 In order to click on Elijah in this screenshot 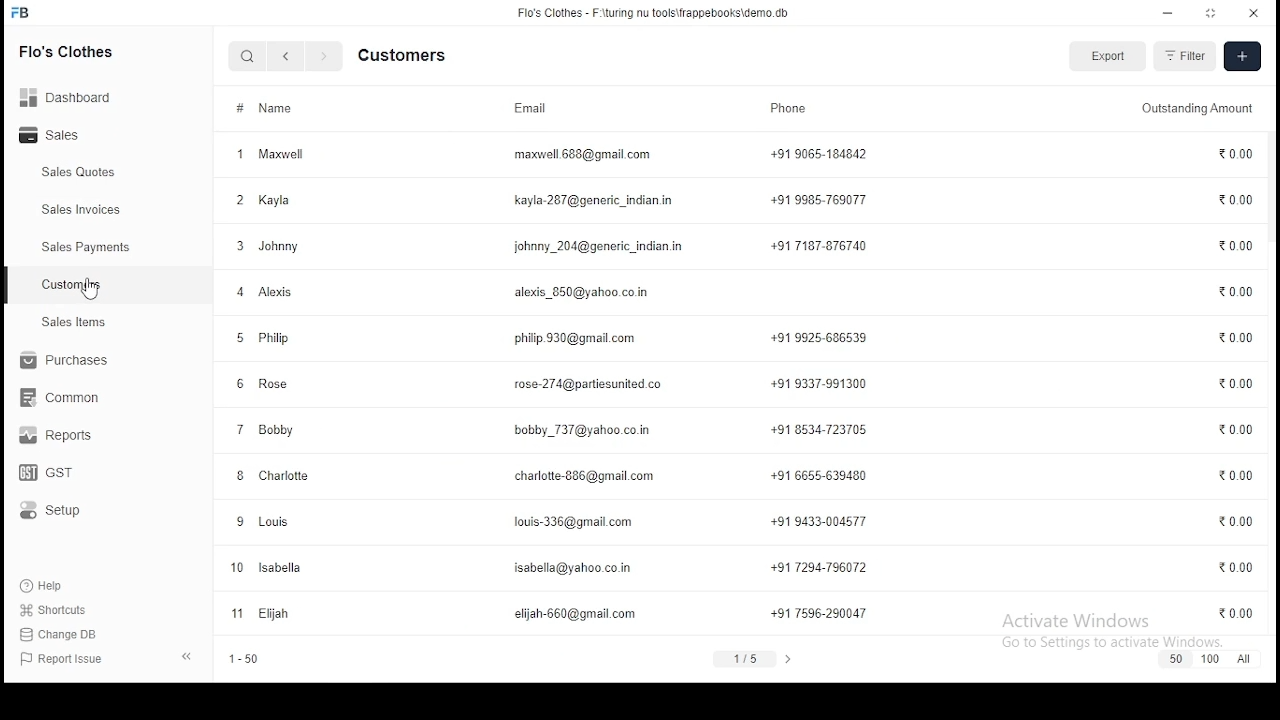, I will do `click(275, 615)`.